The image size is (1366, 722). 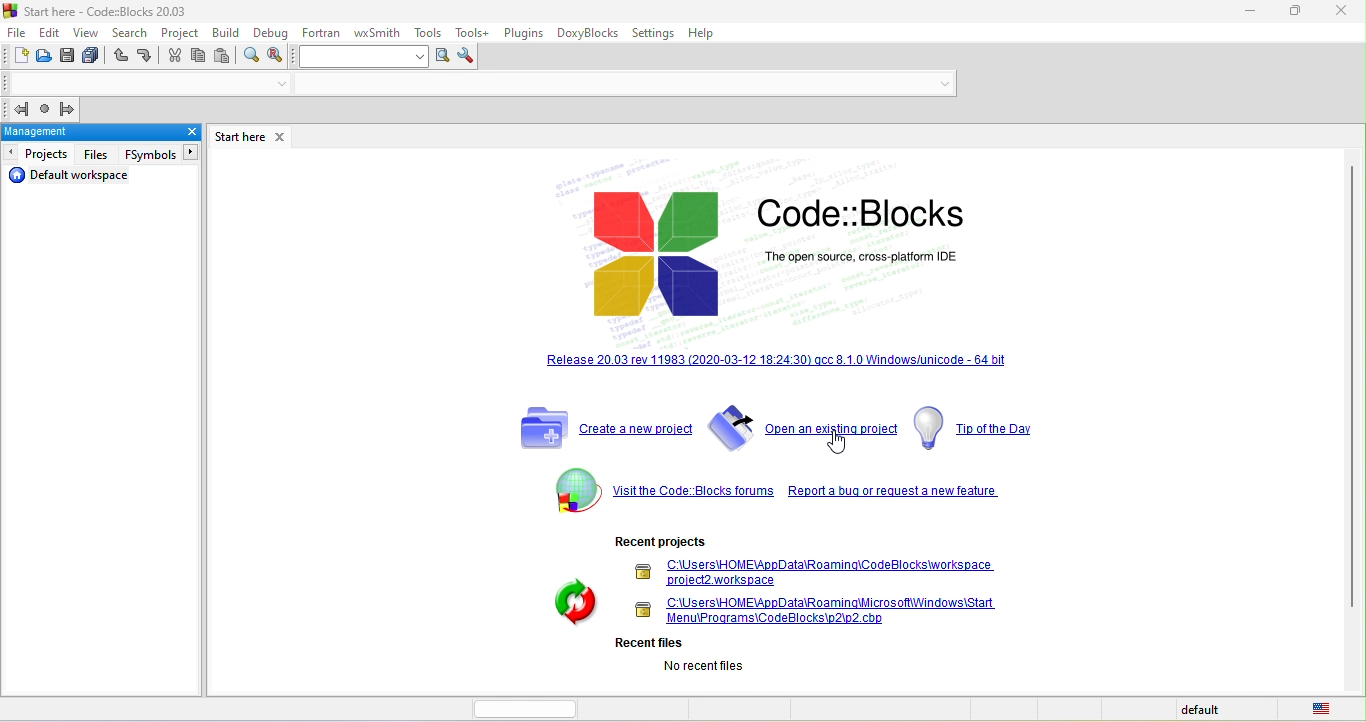 I want to click on fsymbols, so click(x=160, y=154).